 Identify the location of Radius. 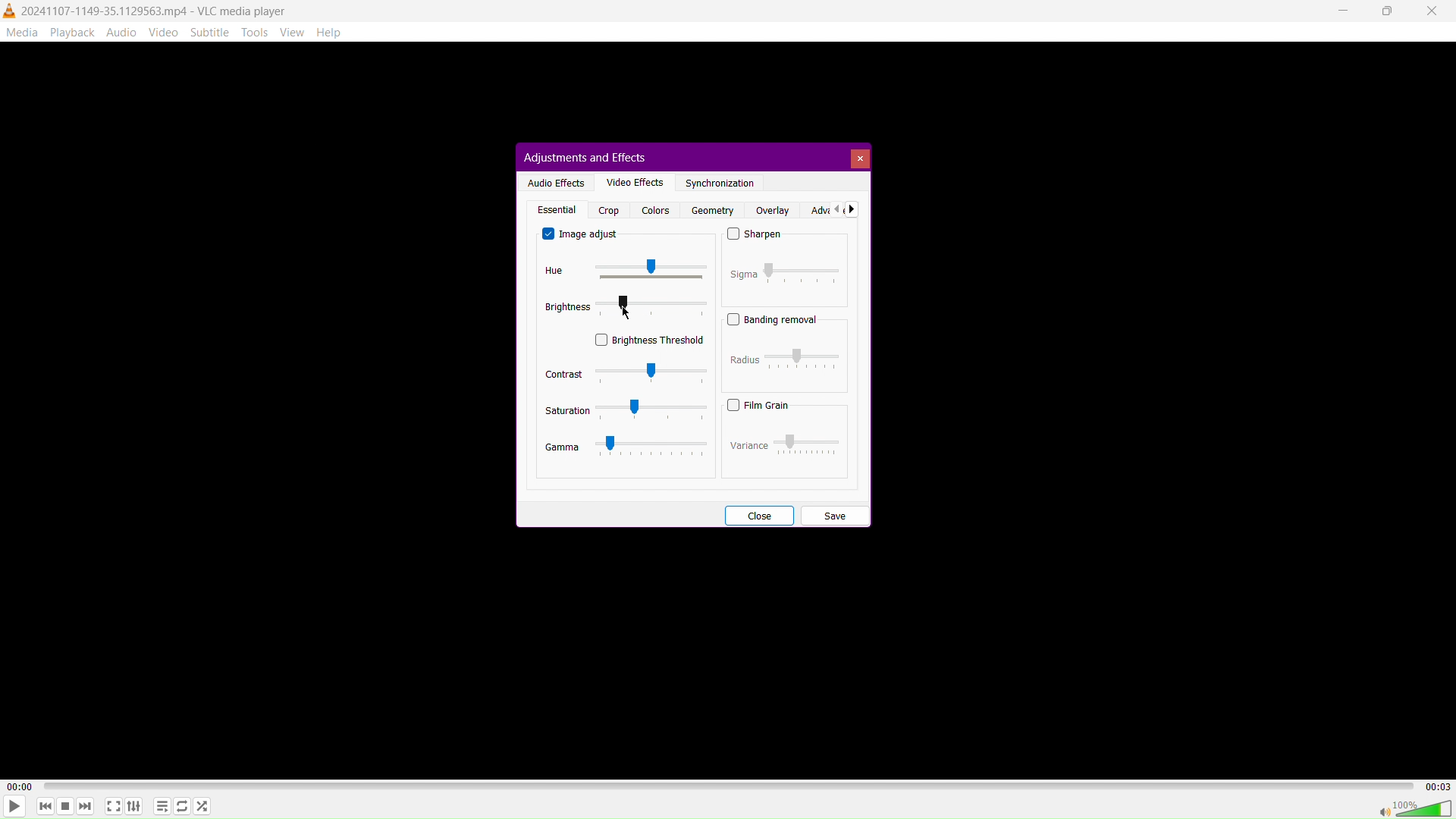
(787, 358).